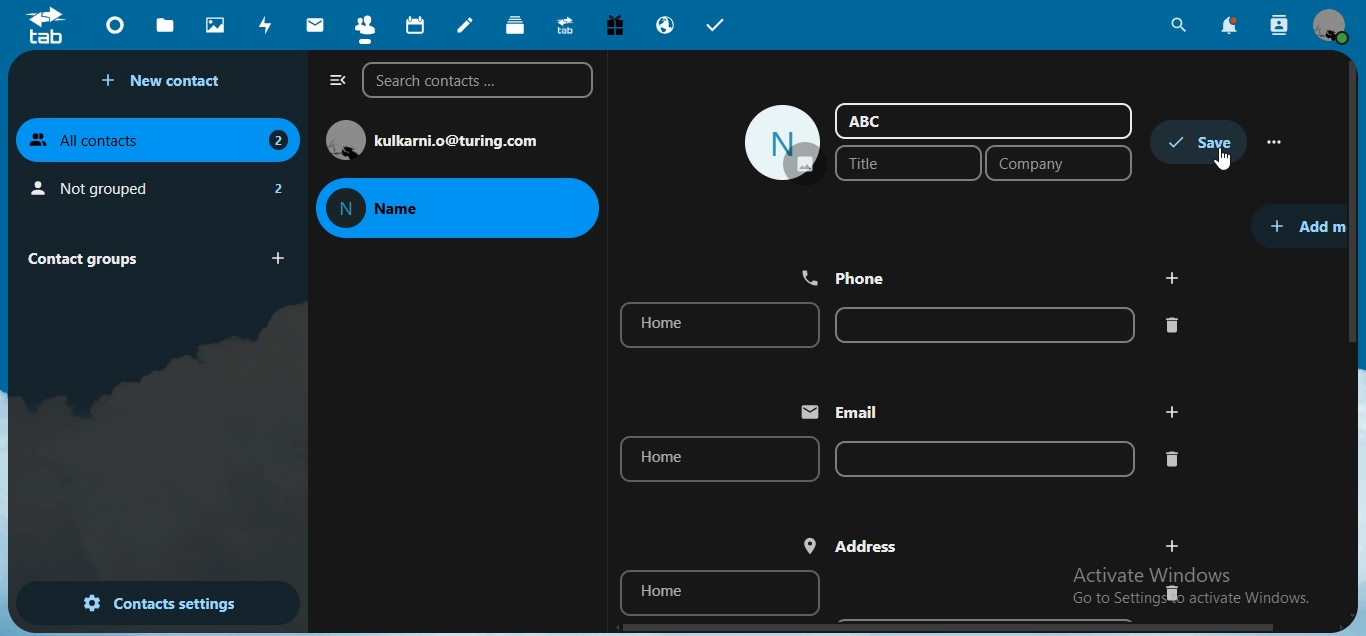  Describe the element at coordinates (715, 326) in the screenshot. I see `home` at that location.